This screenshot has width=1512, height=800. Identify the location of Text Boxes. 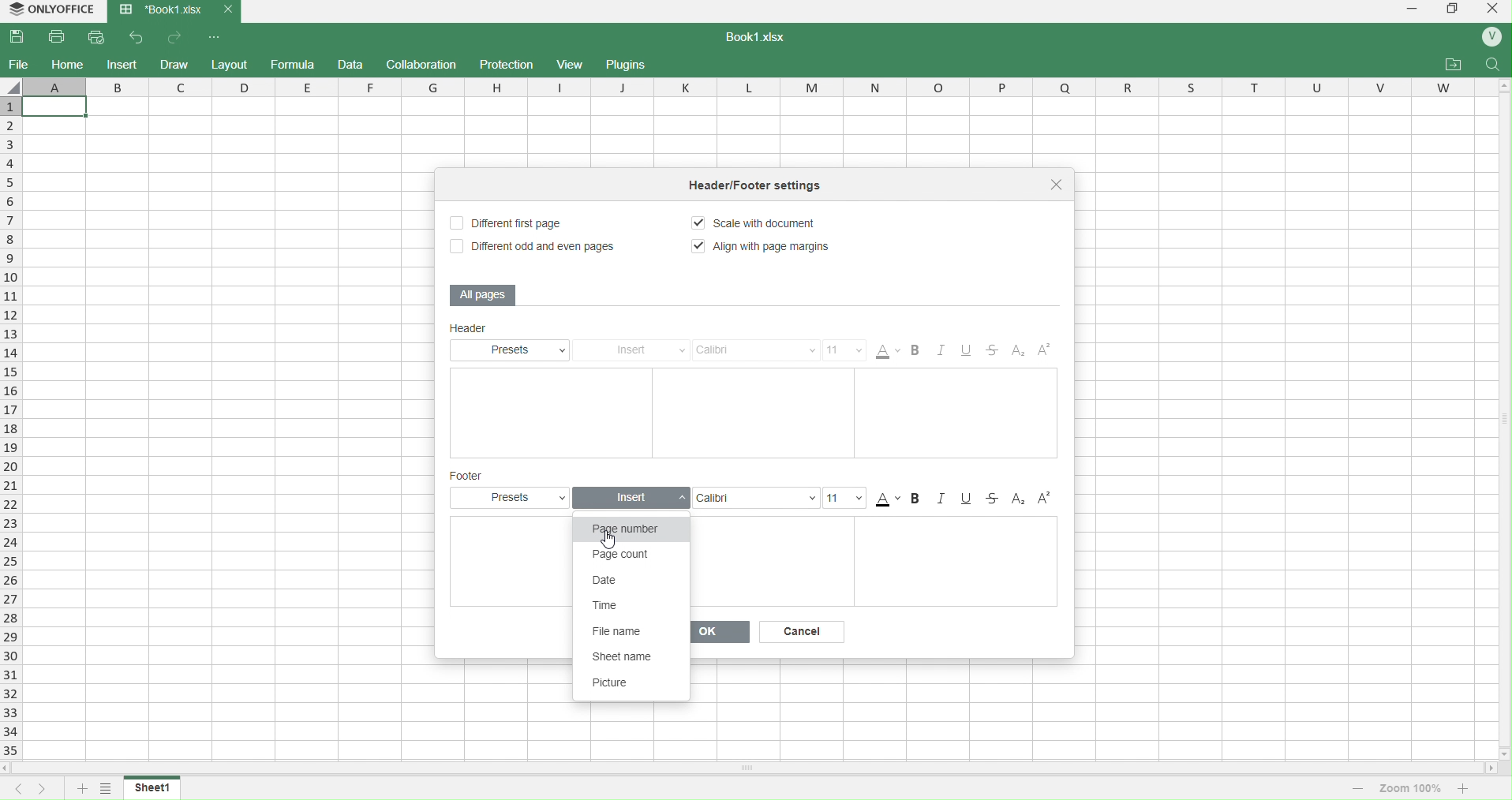
(878, 562).